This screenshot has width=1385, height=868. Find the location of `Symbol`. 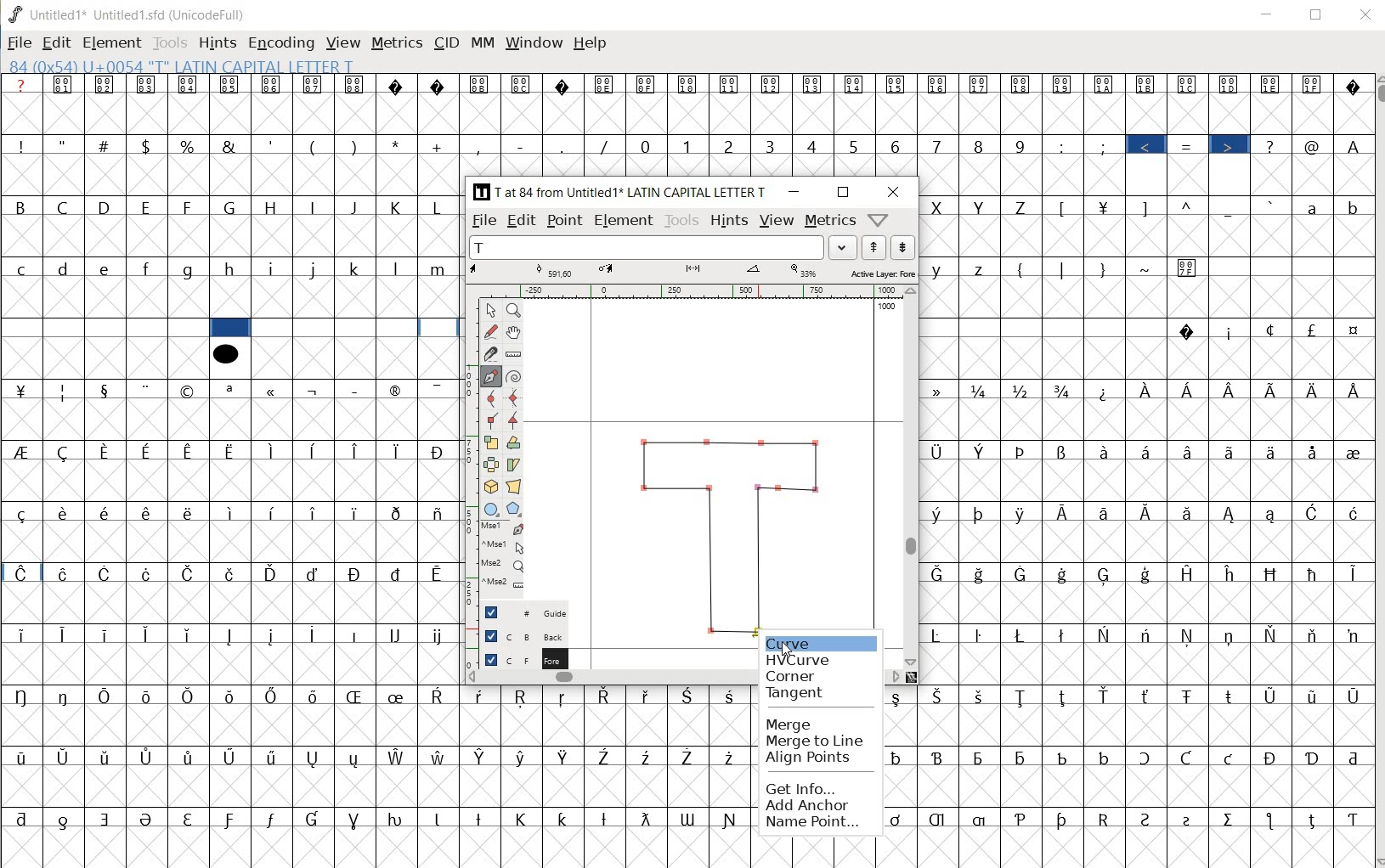

Symbol is located at coordinates (690, 695).